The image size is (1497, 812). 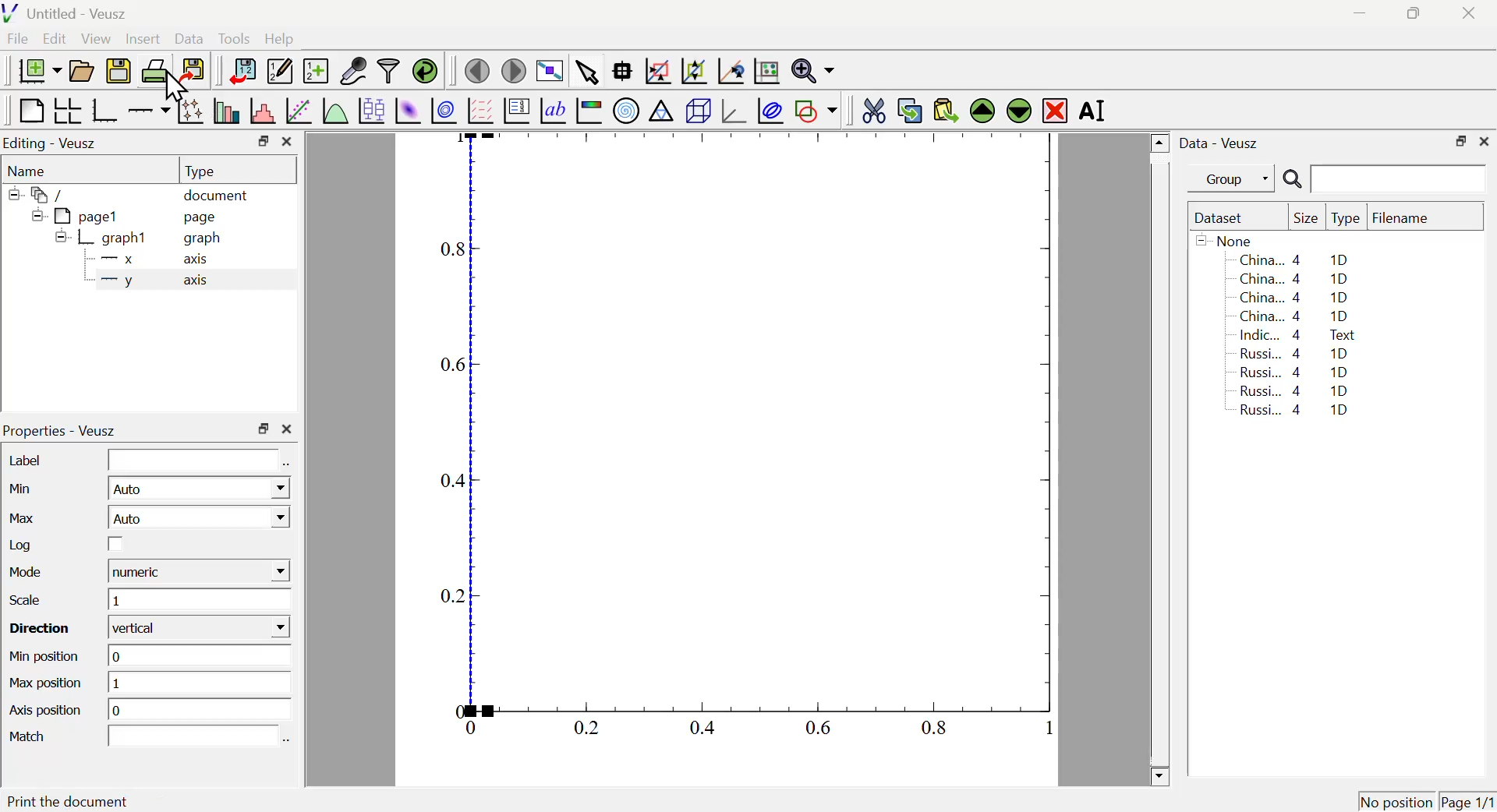 I want to click on Restore Down, so click(x=1411, y=13).